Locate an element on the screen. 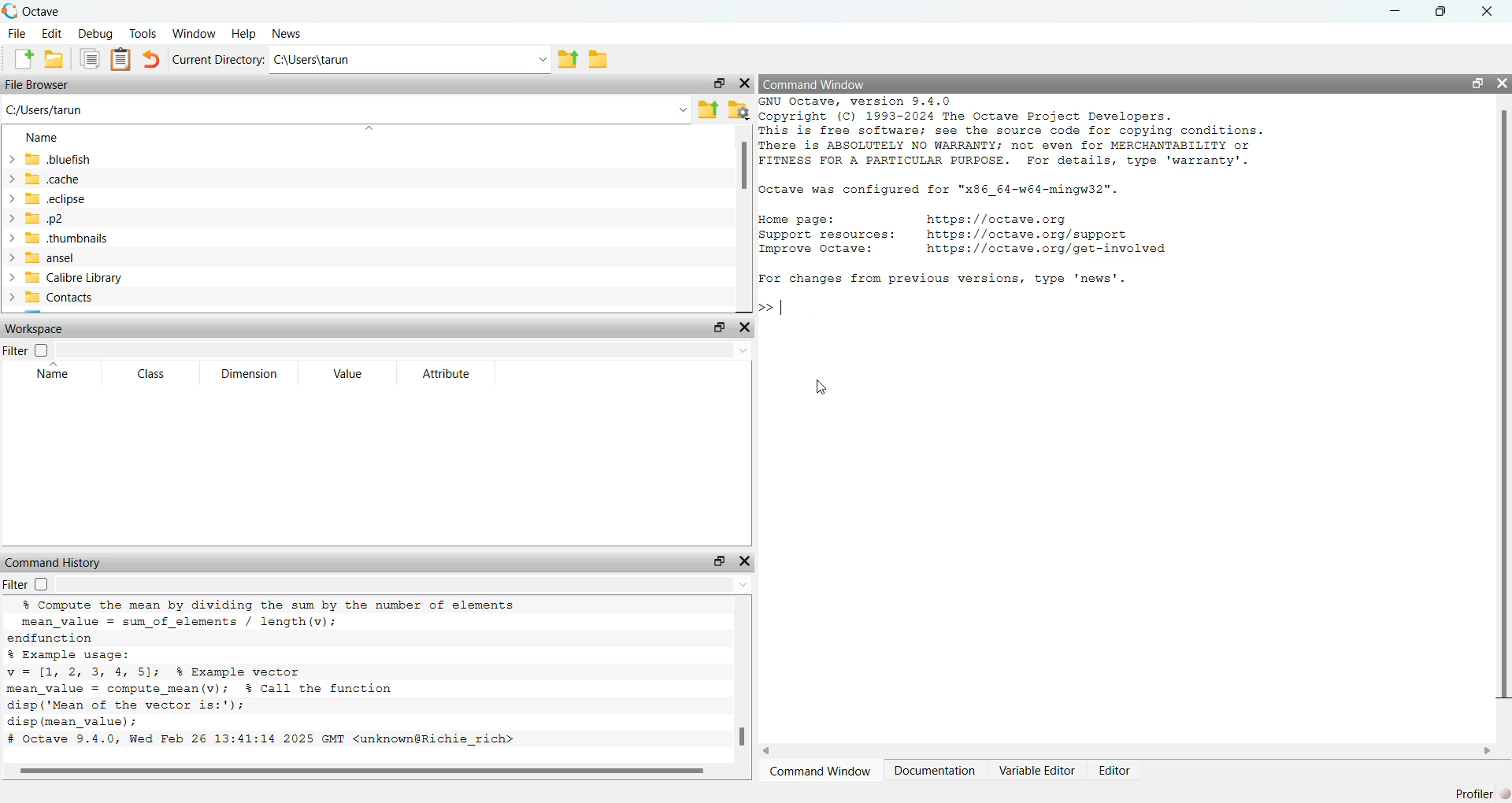 The image size is (1512, 803). minimise is located at coordinates (1396, 9).